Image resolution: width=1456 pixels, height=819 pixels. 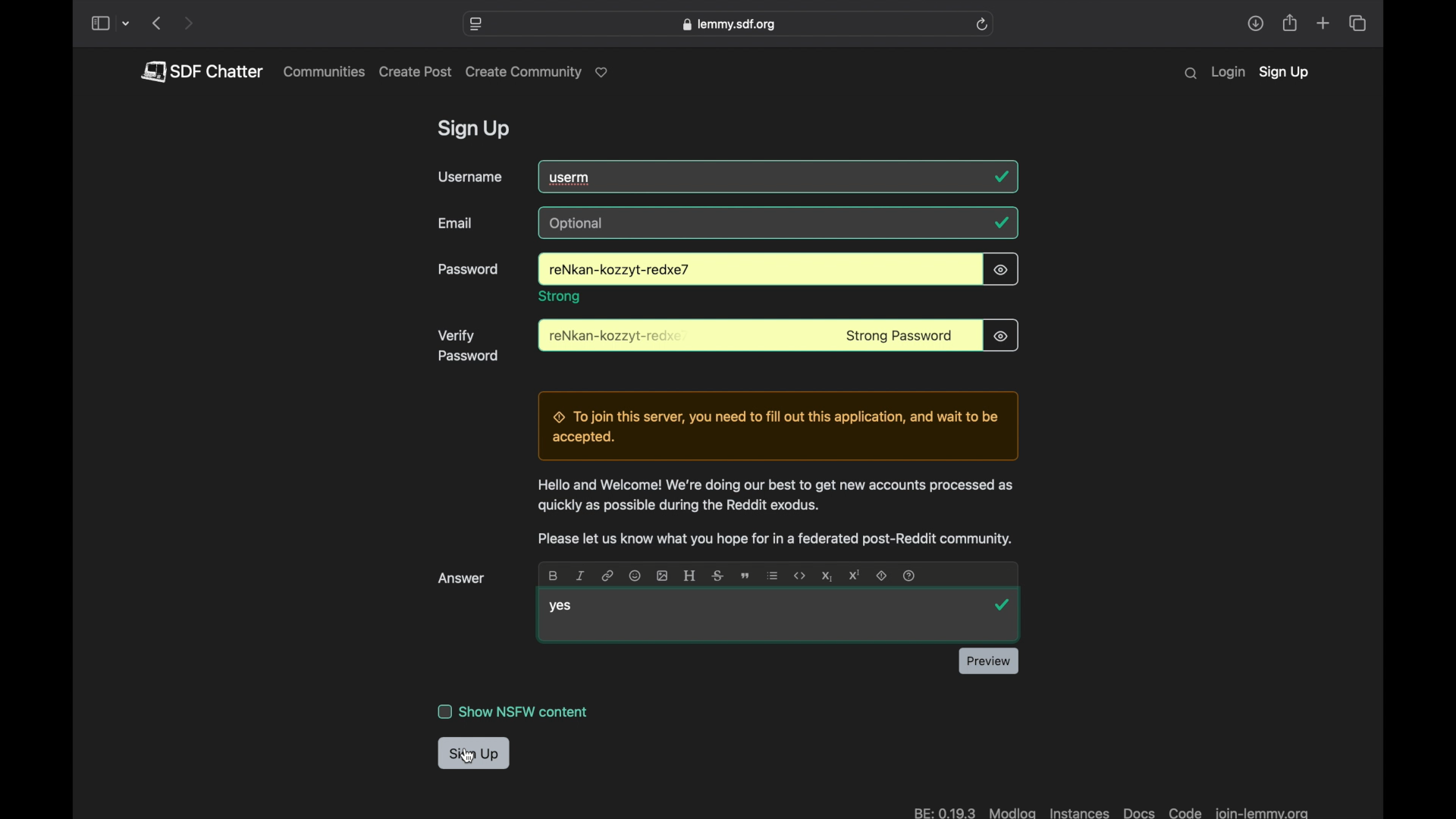 What do you see at coordinates (99, 24) in the screenshot?
I see `show sidebar` at bounding box center [99, 24].